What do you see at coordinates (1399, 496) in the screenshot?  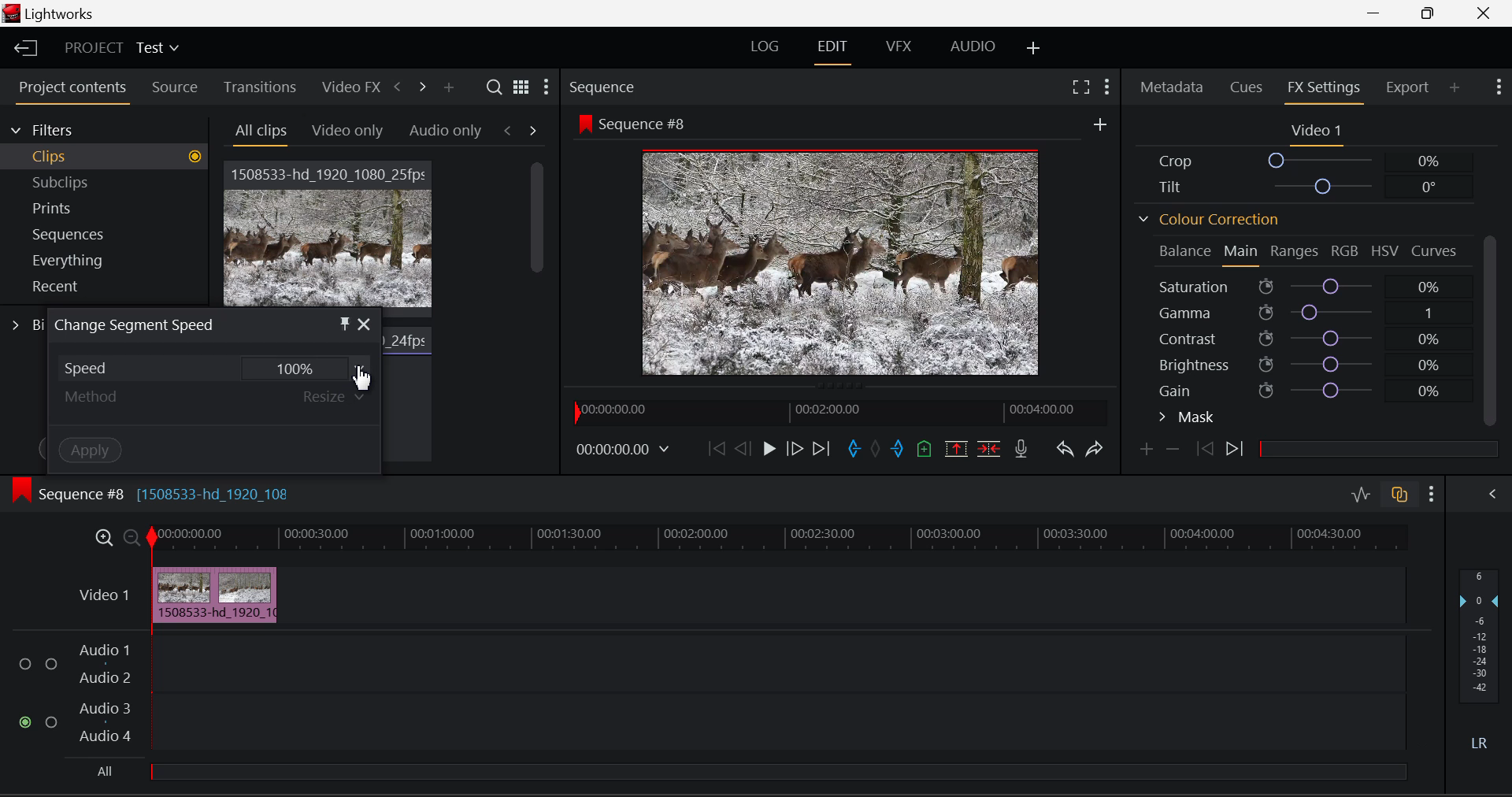 I see `Auto Track Sync` at bounding box center [1399, 496].